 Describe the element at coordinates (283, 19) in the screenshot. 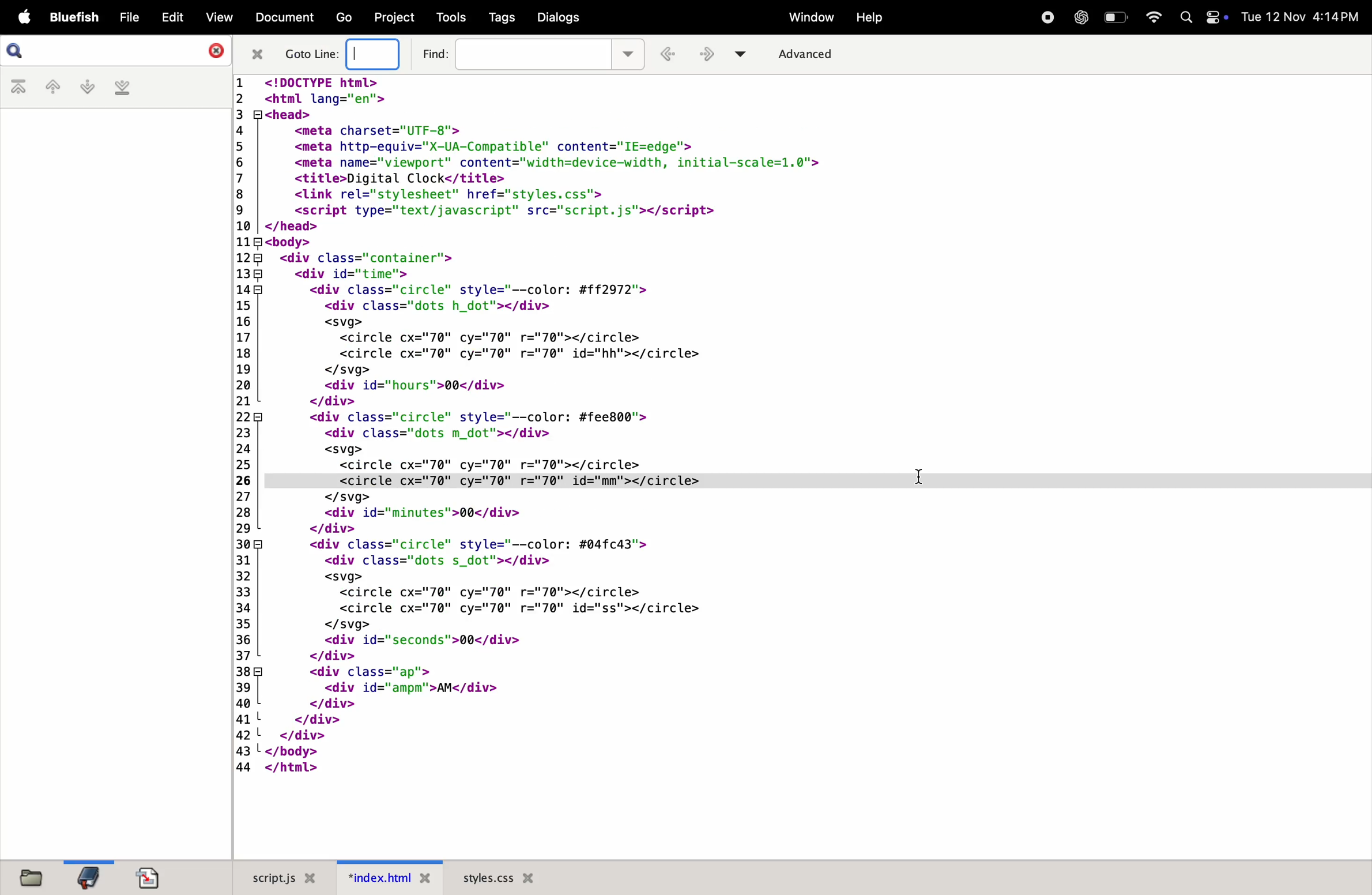

I see `document` at that location.